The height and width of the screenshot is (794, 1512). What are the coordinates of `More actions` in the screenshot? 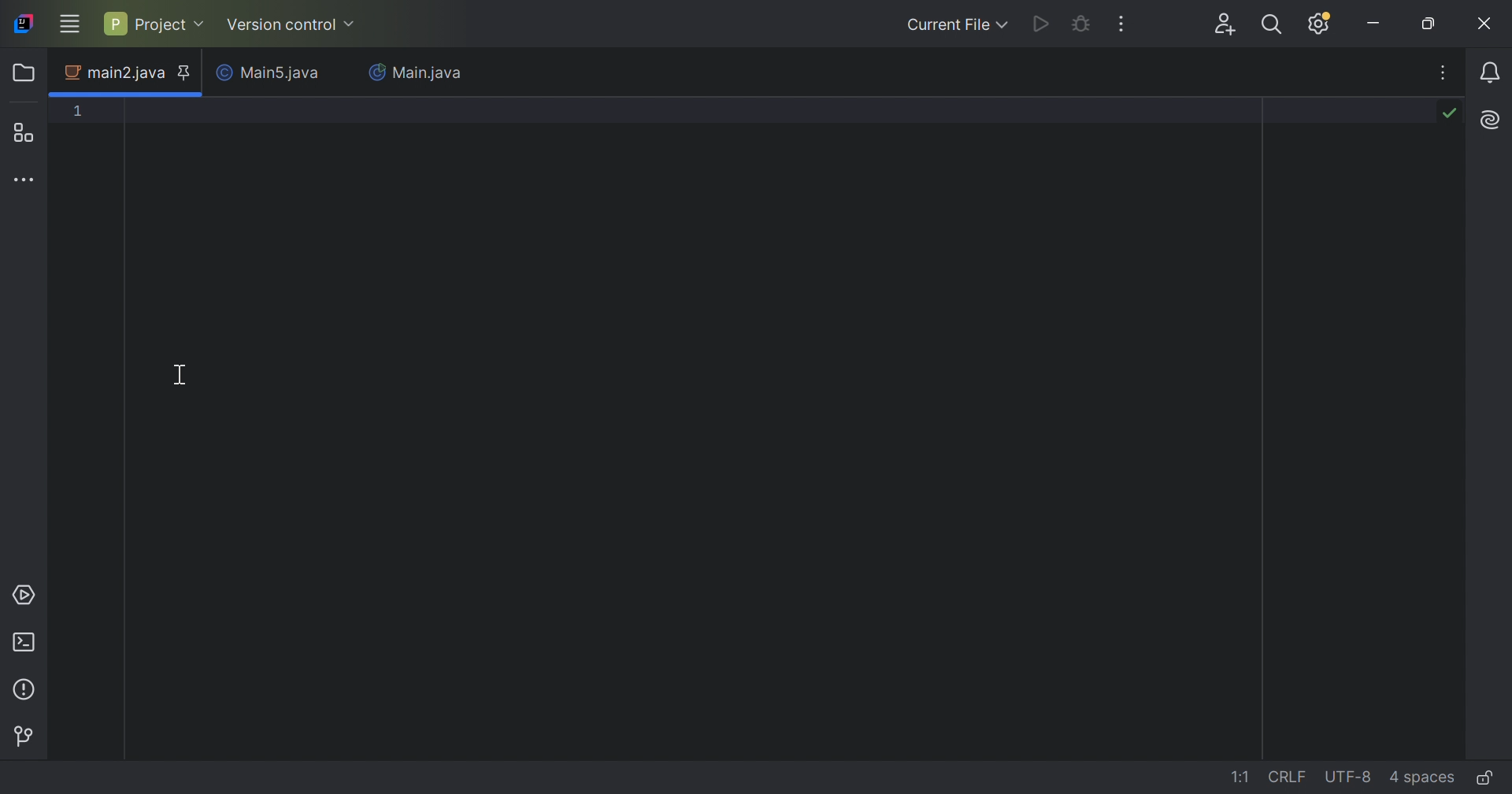 It's located at (1119, 24).